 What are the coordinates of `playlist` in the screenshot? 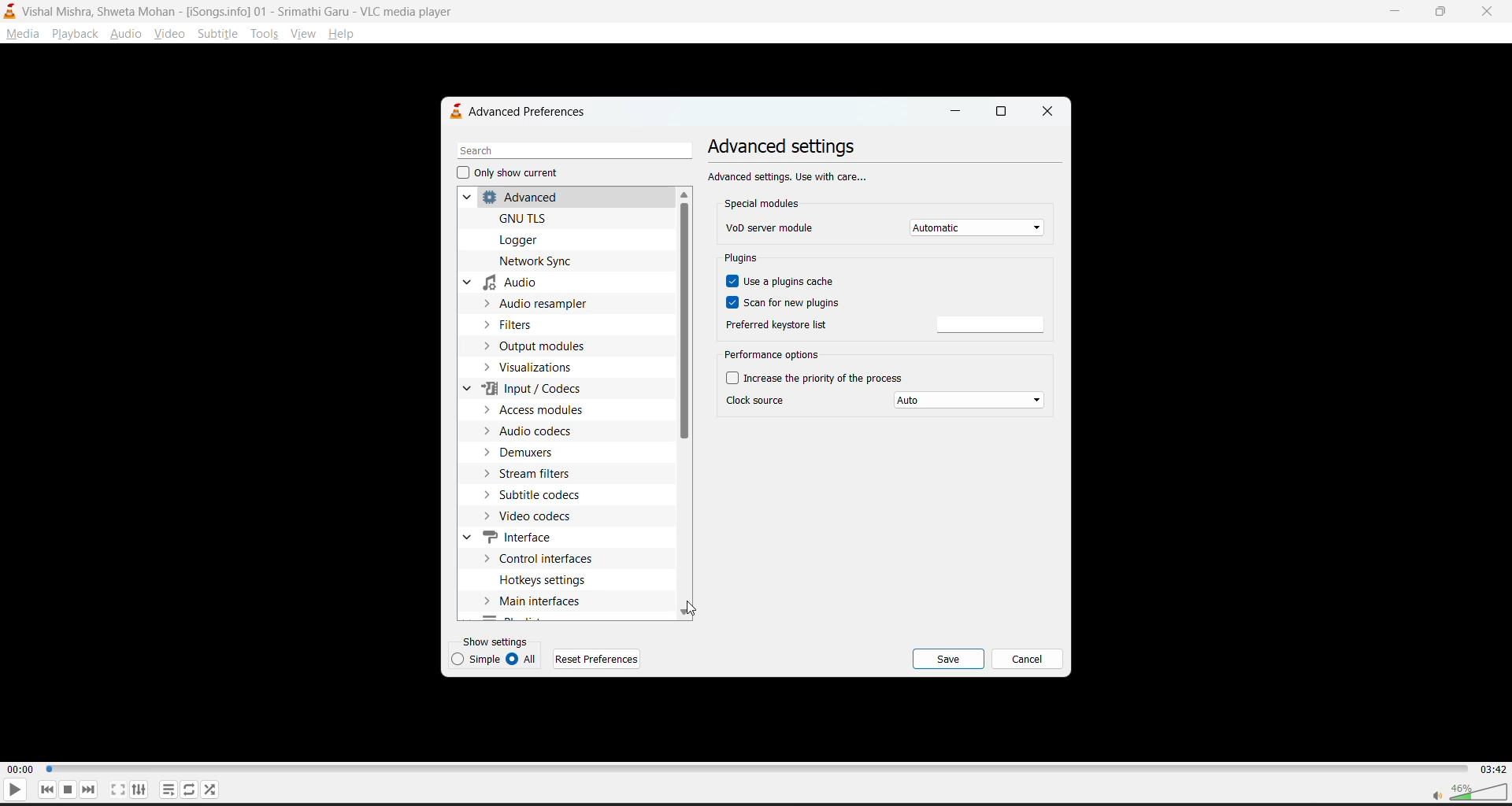 It's located at (165, 788).